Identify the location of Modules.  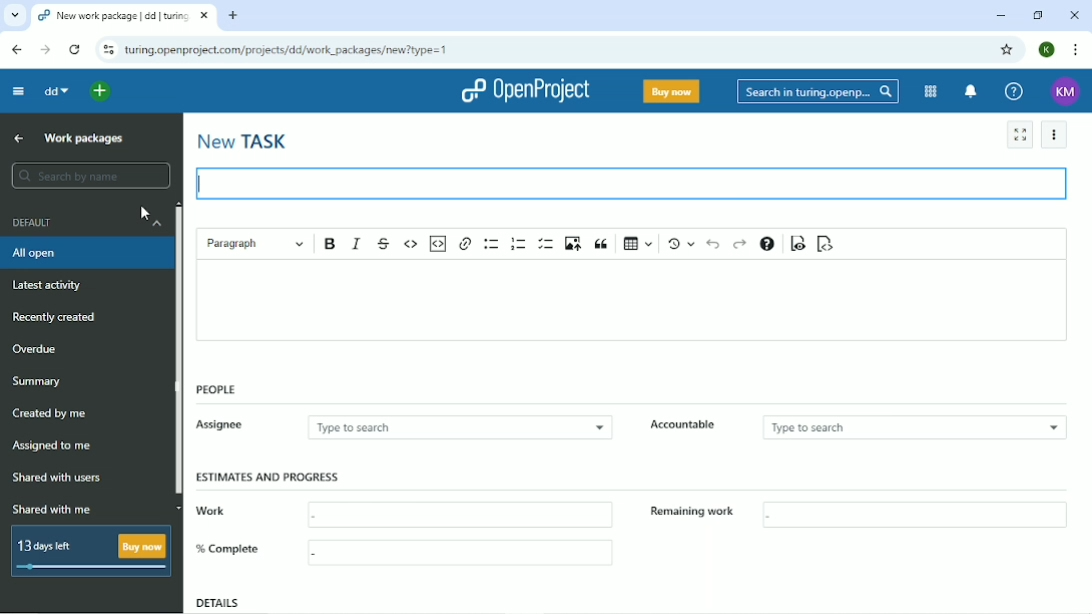
(929, 91).